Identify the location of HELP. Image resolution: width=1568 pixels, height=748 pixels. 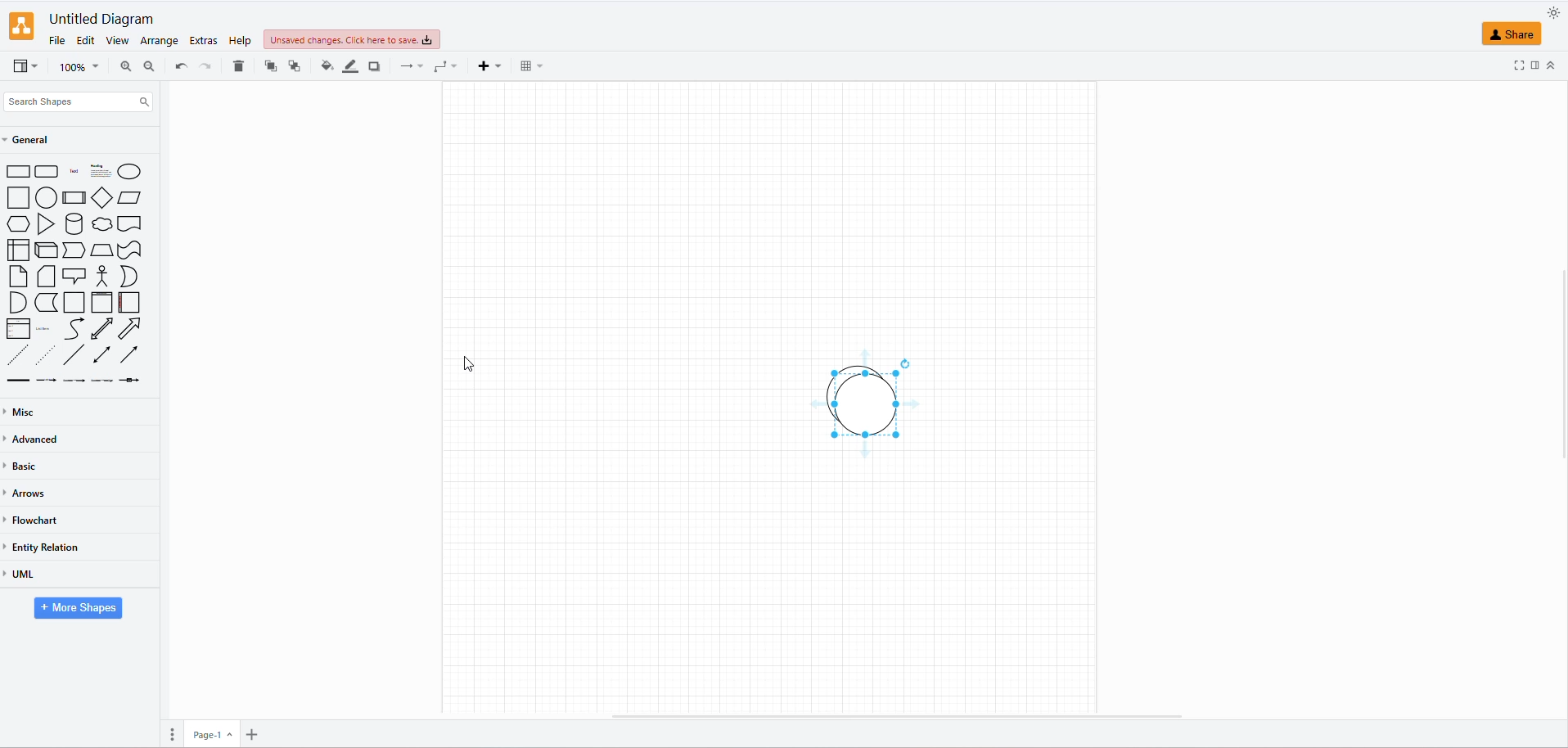
(237, 42).